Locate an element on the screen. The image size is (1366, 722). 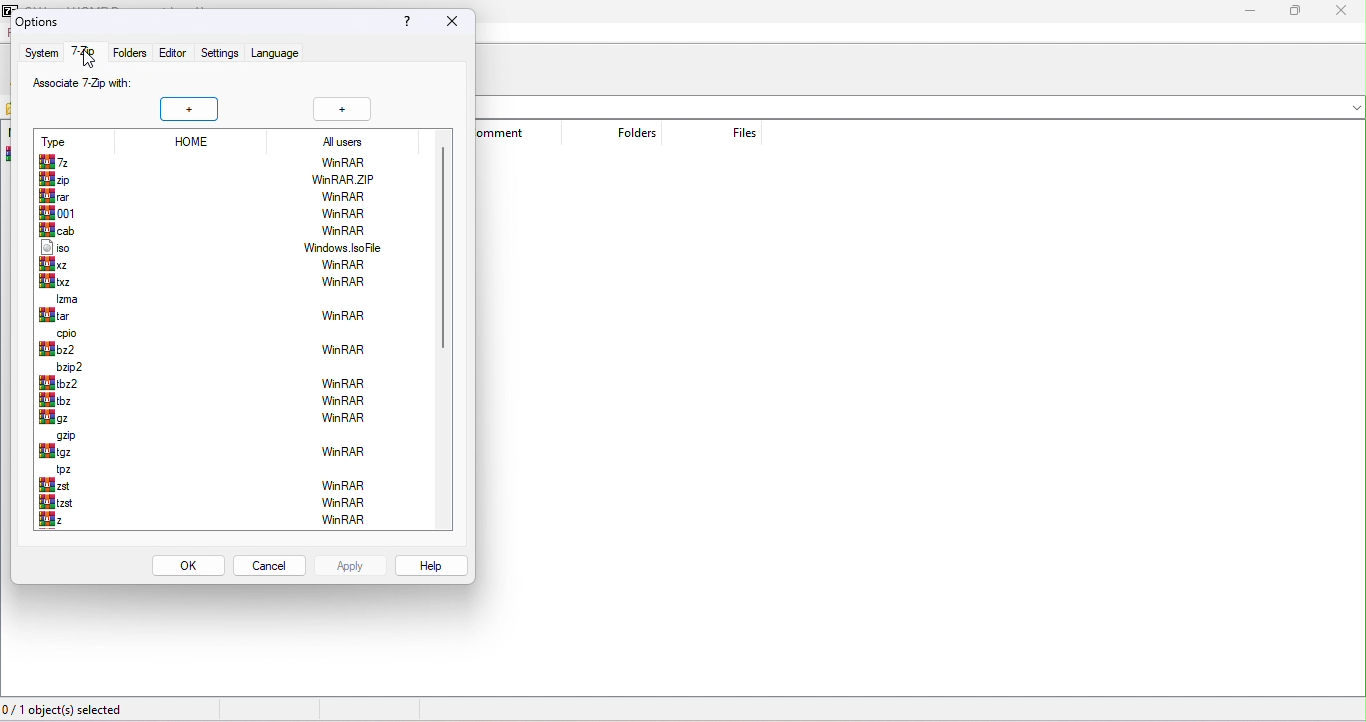
tpz is located at coordinates (67, 469).